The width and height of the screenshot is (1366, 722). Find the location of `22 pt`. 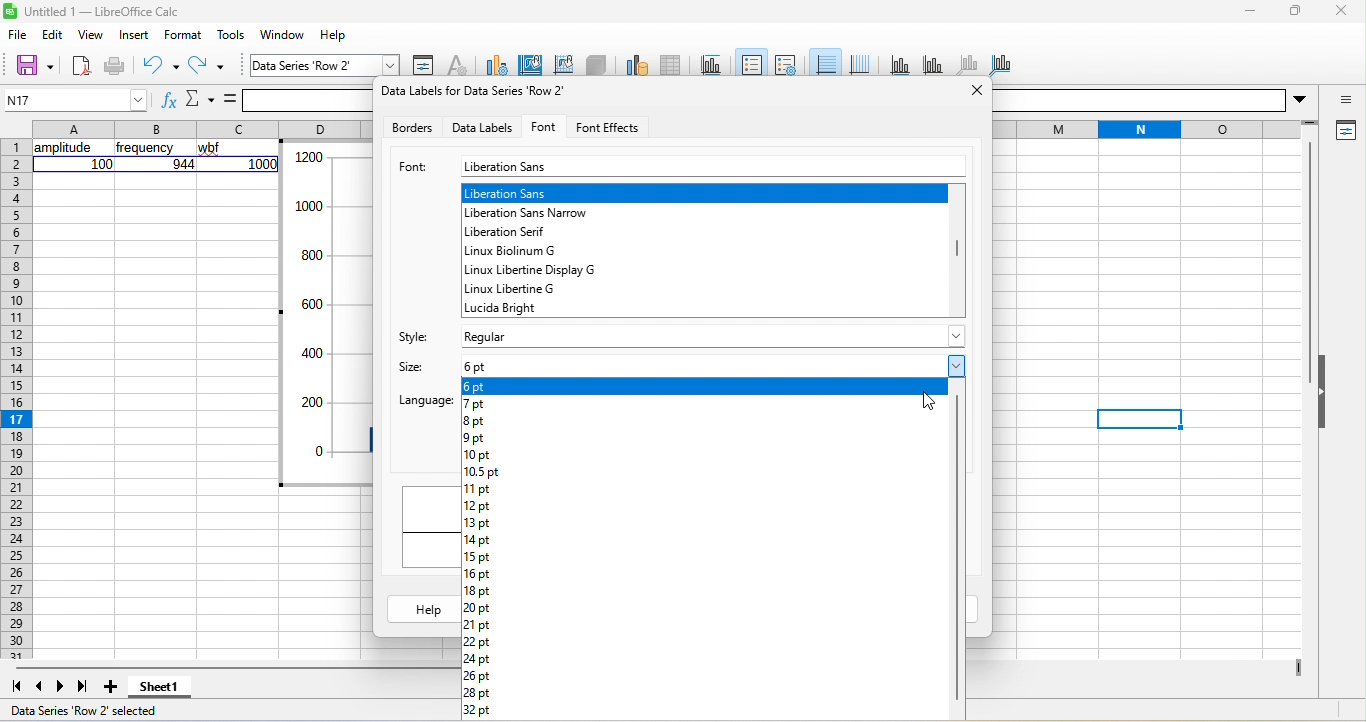

22 pt is located at coordinates (484, 643).